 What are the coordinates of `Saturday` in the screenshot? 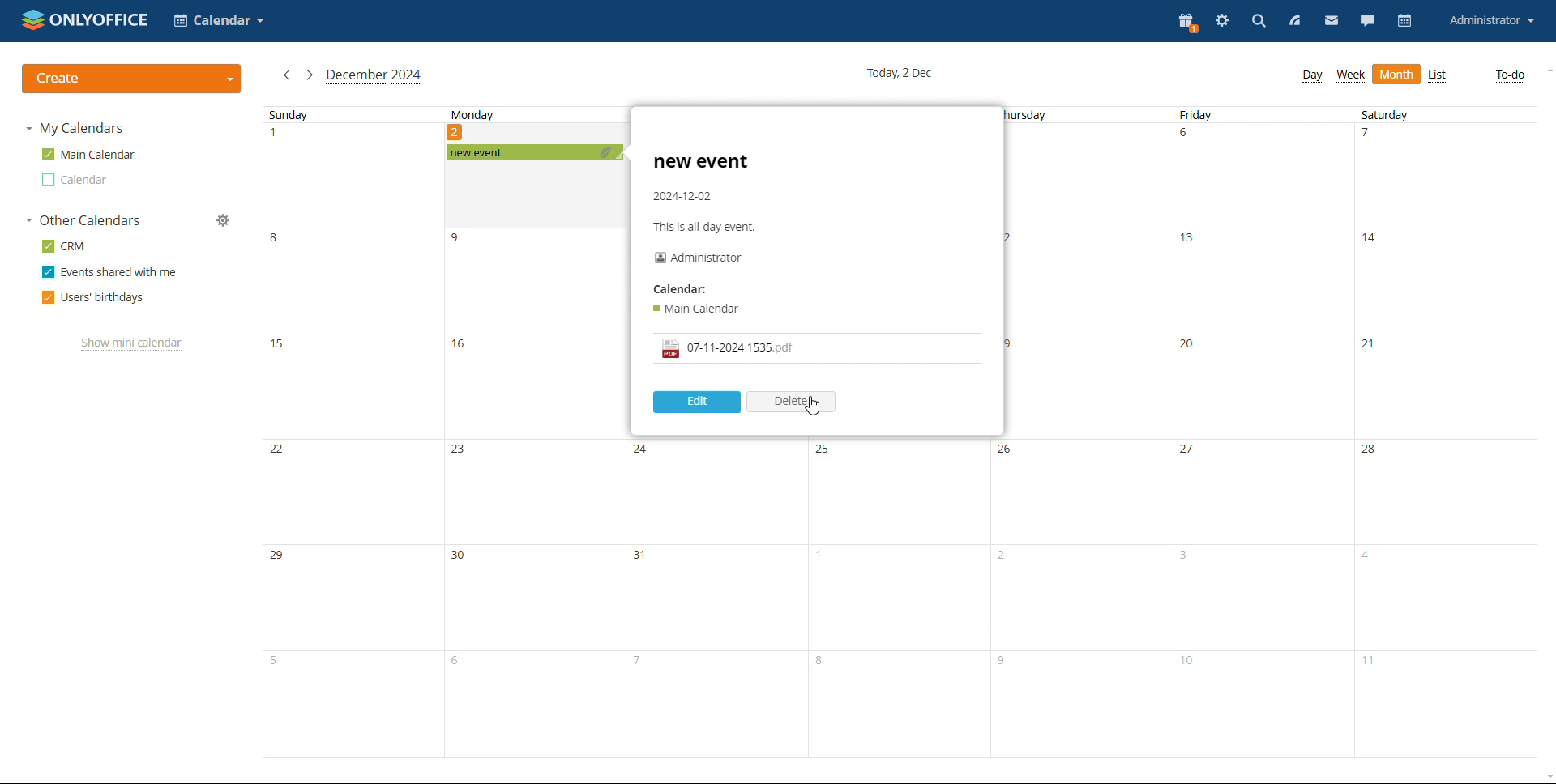 It's located at (1386, 114).